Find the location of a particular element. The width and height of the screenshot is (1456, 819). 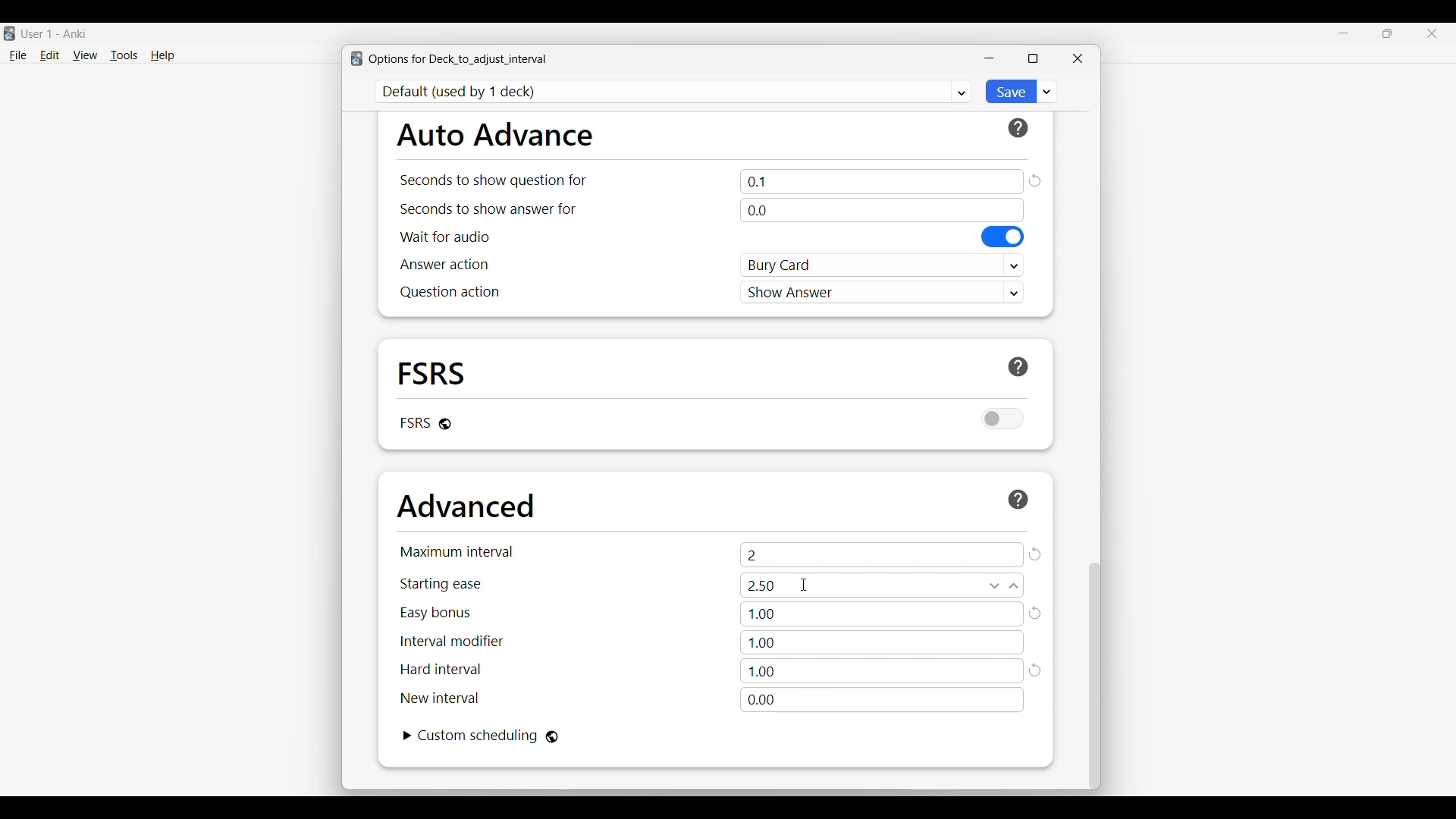

0.0 is located at coordinates (881, 210).